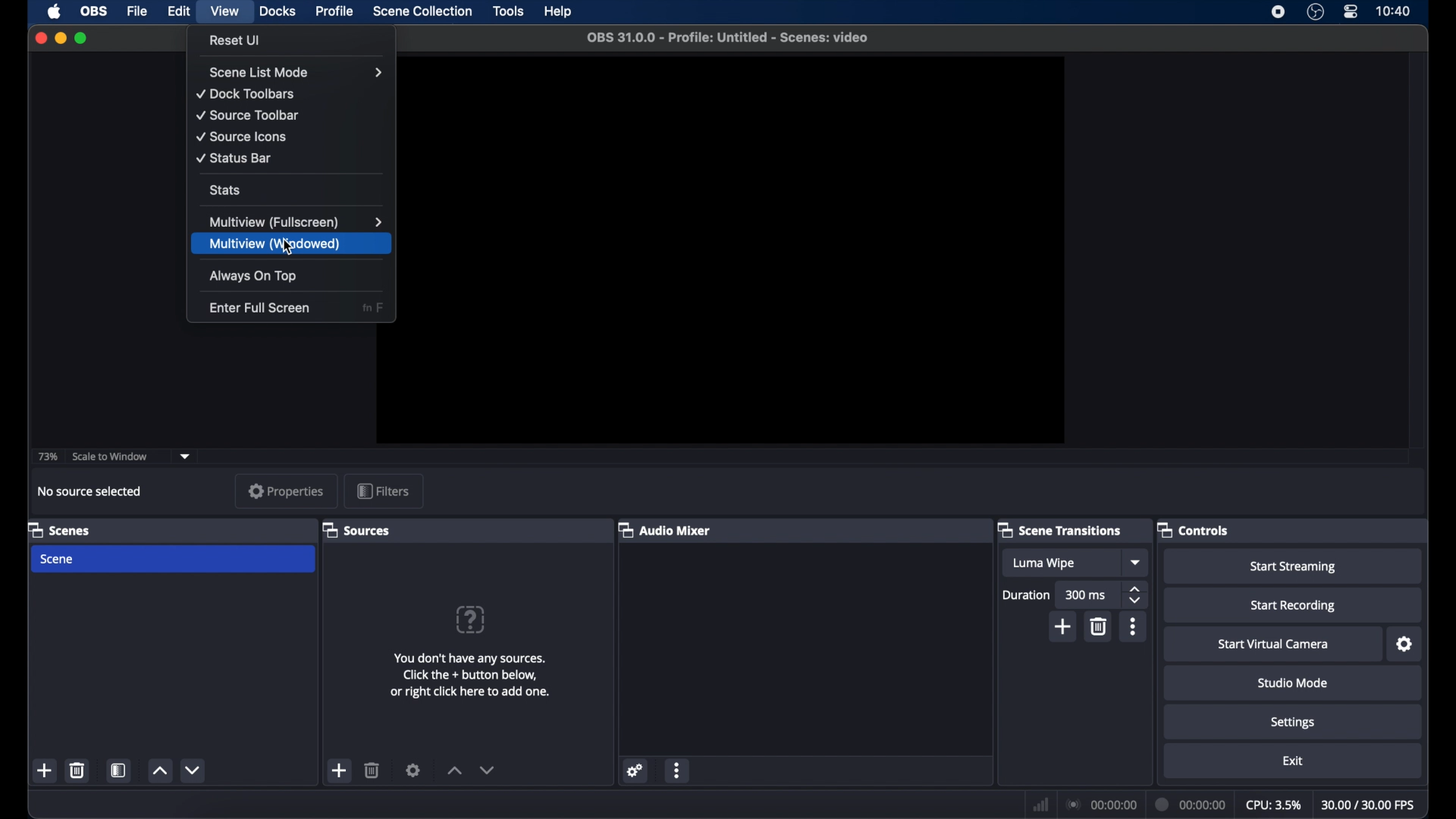 The image size is (1456, 819). Describe the element at coordinates (1136, 594) in the screenshot. I see `stepper buttons` at that location.